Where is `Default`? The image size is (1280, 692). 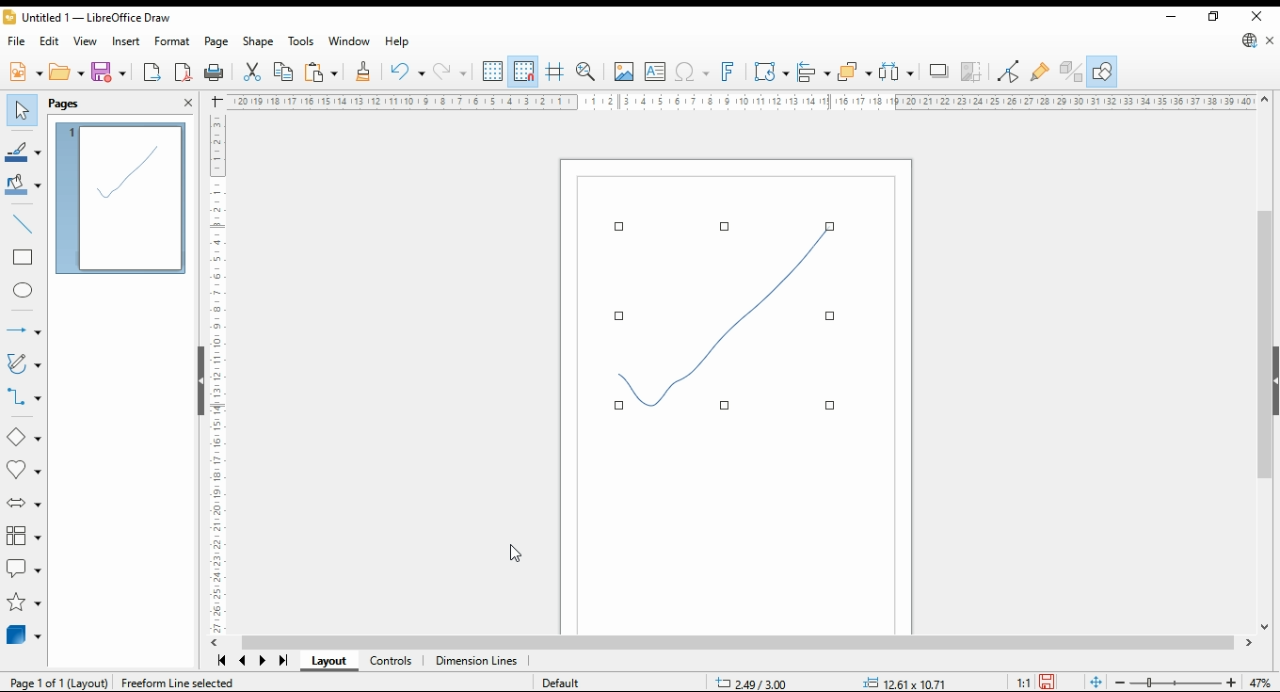 Default is located at coordinates (571, 680).